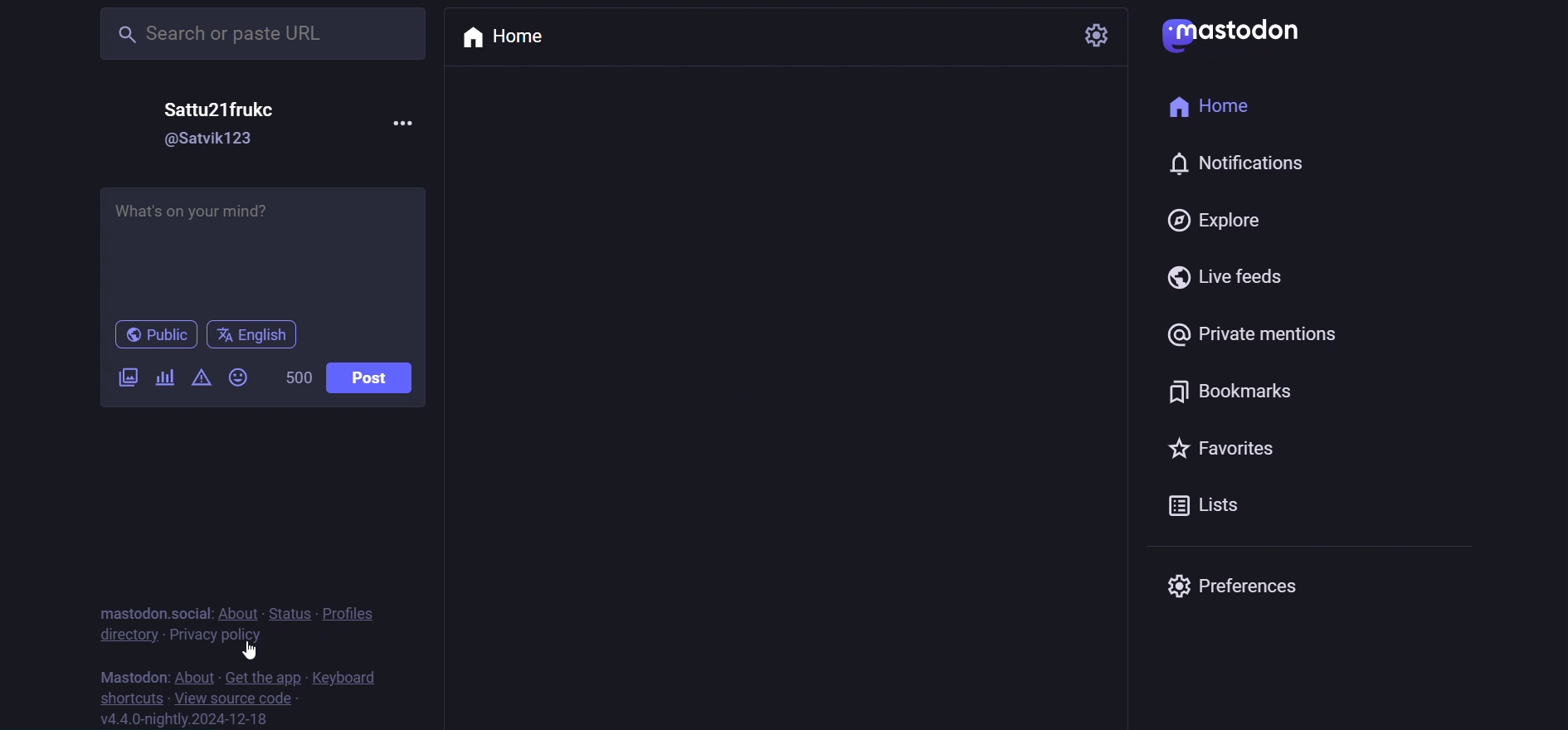 This screenshot has width=1568, height=730. What do you see at coordinates (202, 377) in the screenshot?
I see `content warning` at bounding box center [202, 377].